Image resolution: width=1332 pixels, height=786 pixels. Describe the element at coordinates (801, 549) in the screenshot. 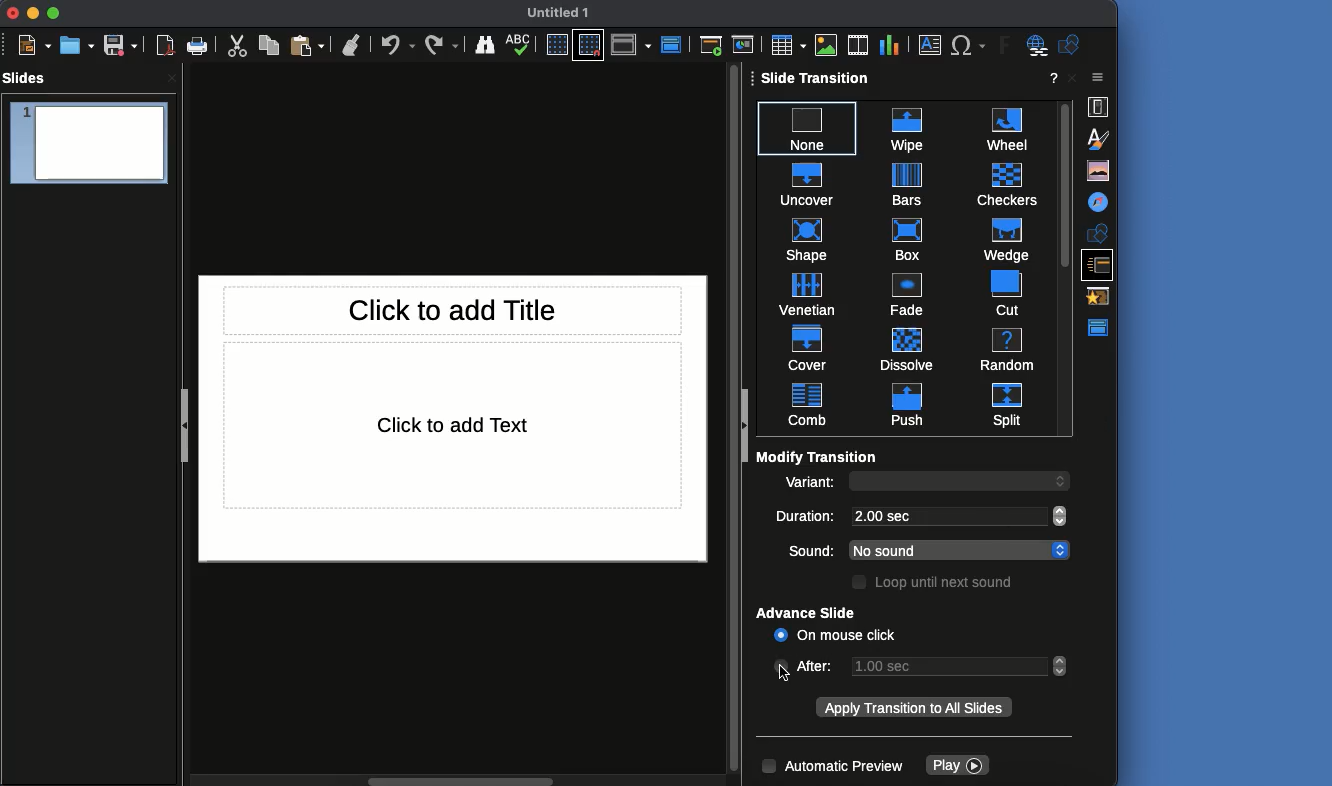

I see `sound:` at that location.